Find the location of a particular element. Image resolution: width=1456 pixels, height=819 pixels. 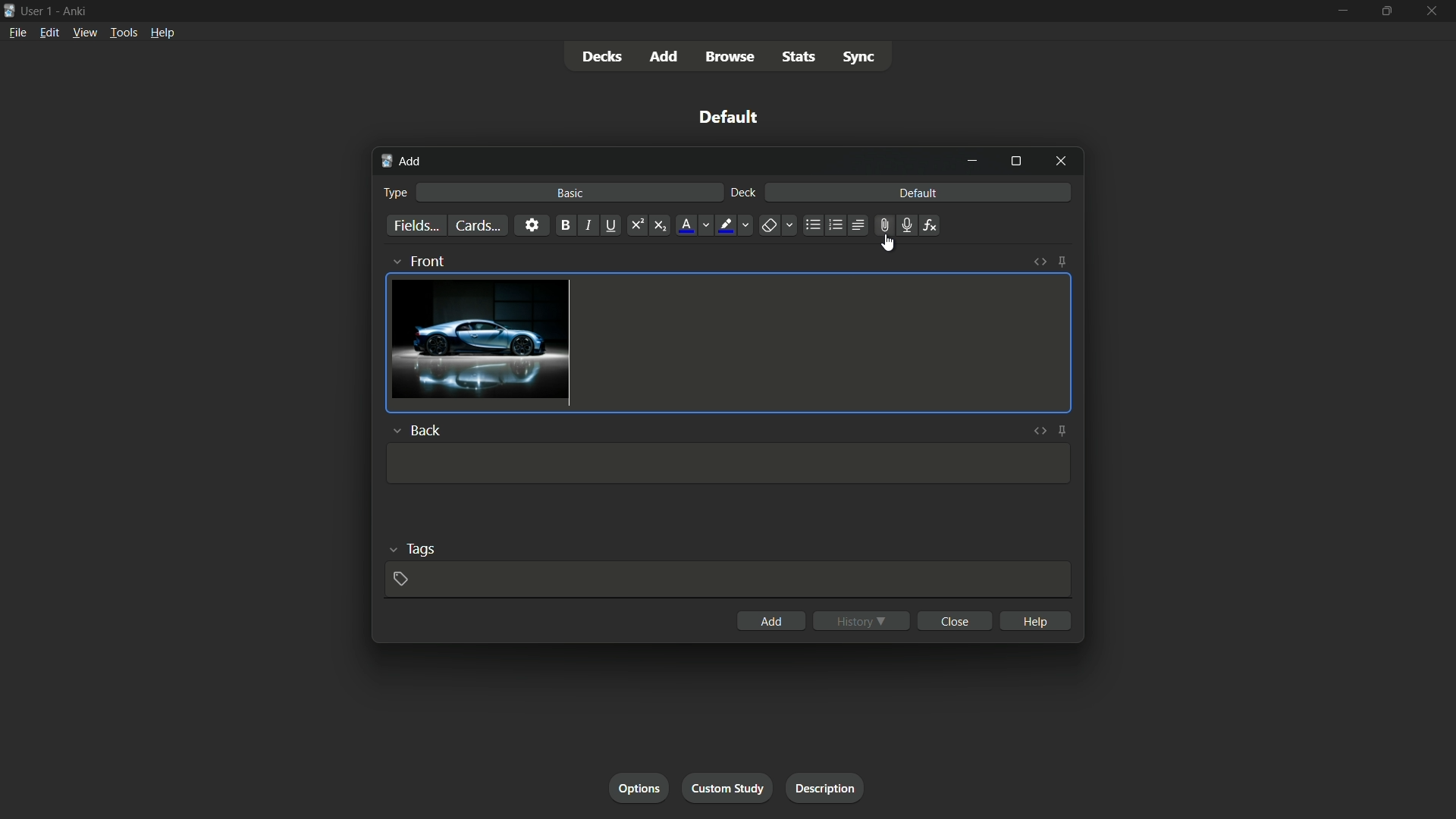

help is located at coordinates (1039, 619).